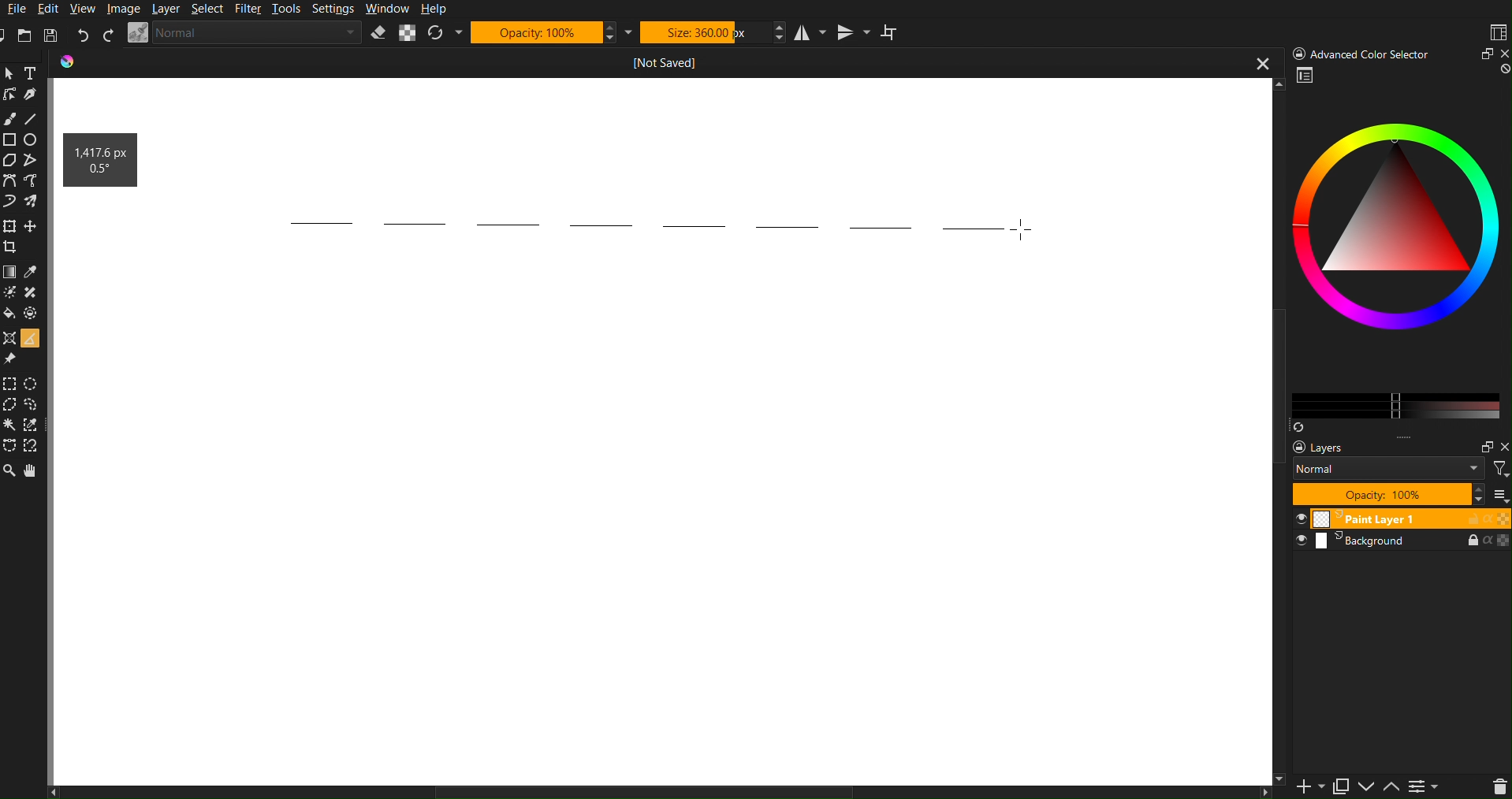 The image size is (1512, 799). I want to click on Crop, so click(13, 247).